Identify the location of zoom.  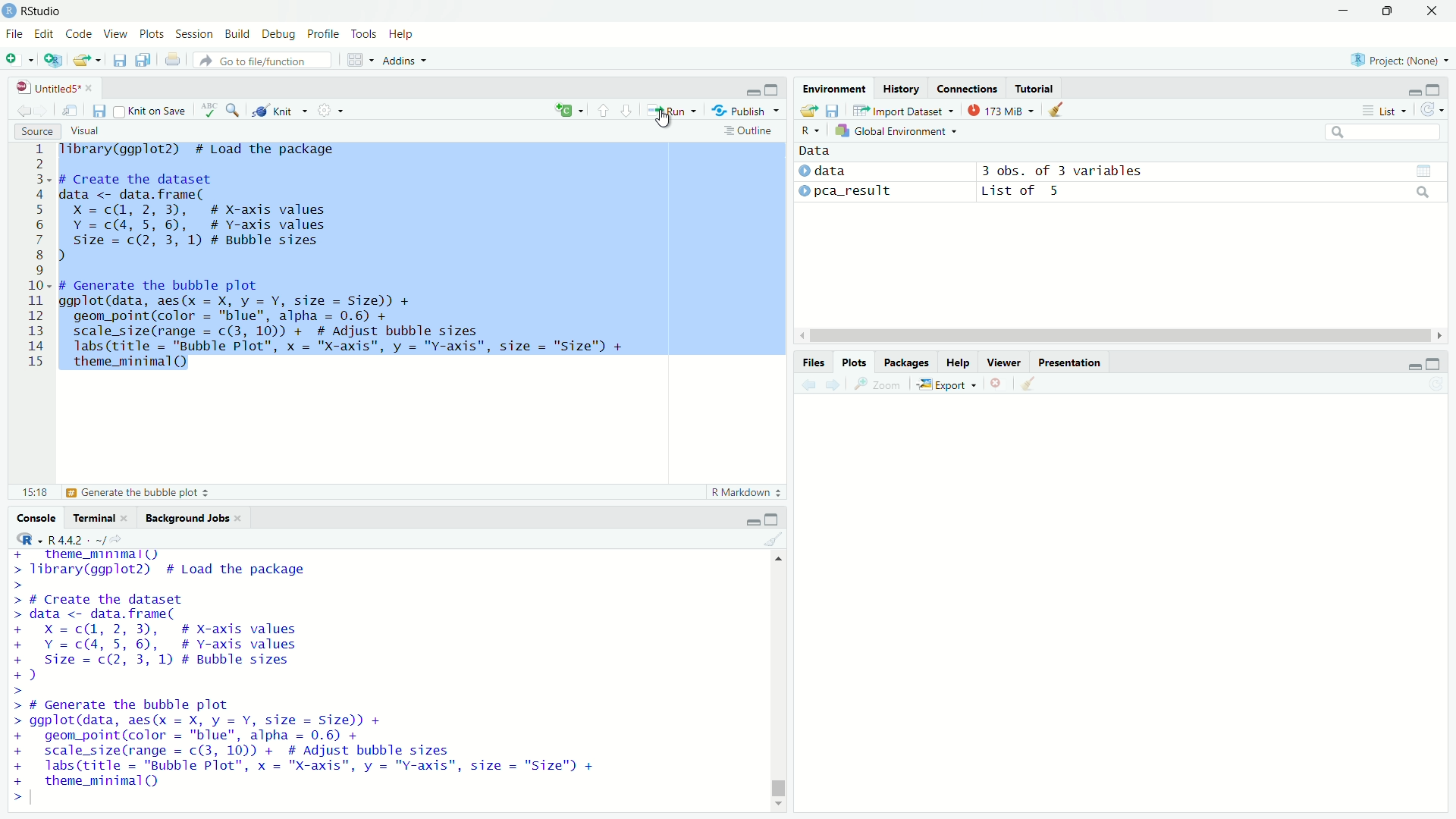
(879, 385).